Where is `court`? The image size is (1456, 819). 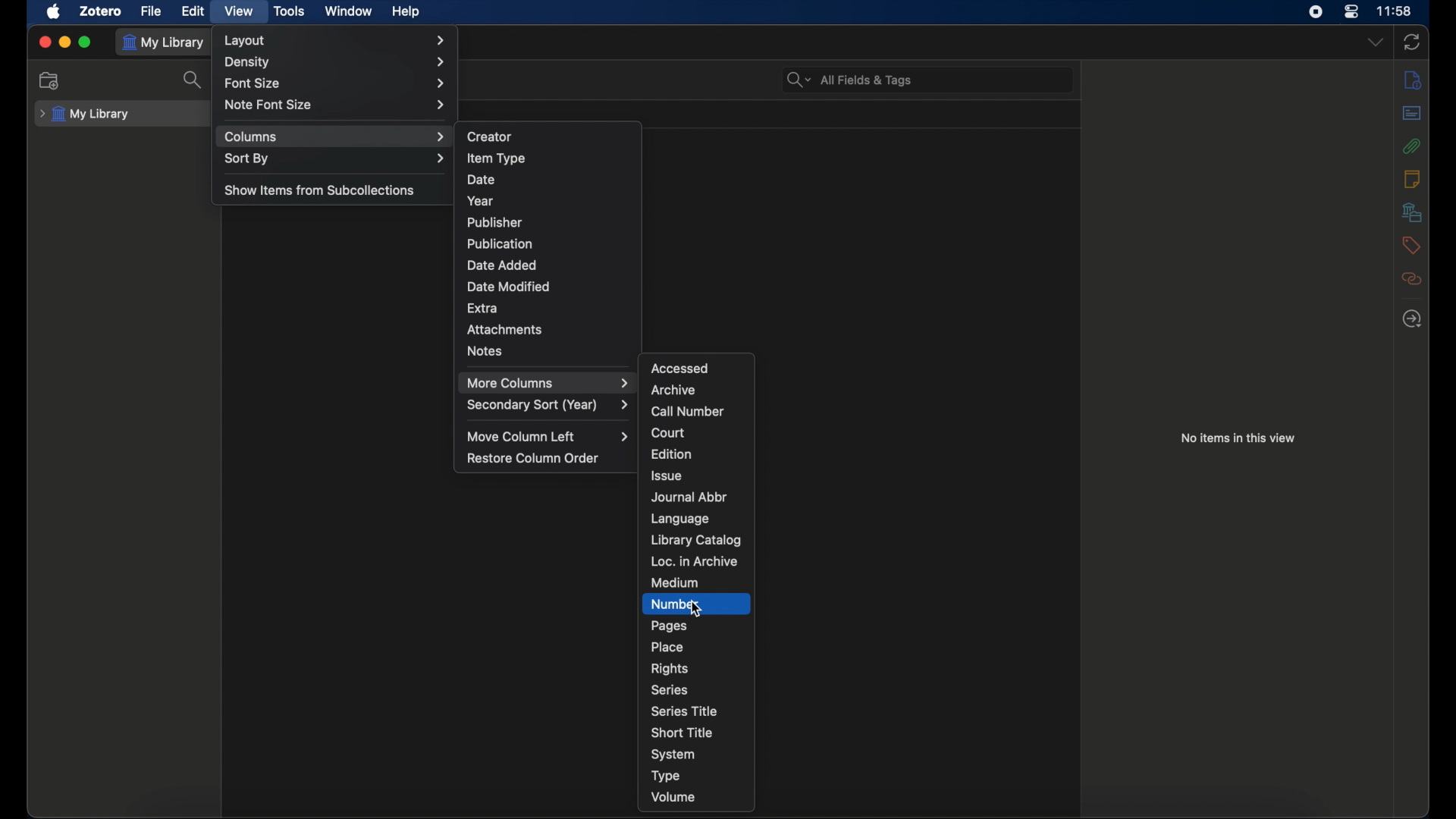
court is located at coordinates (668, 431).